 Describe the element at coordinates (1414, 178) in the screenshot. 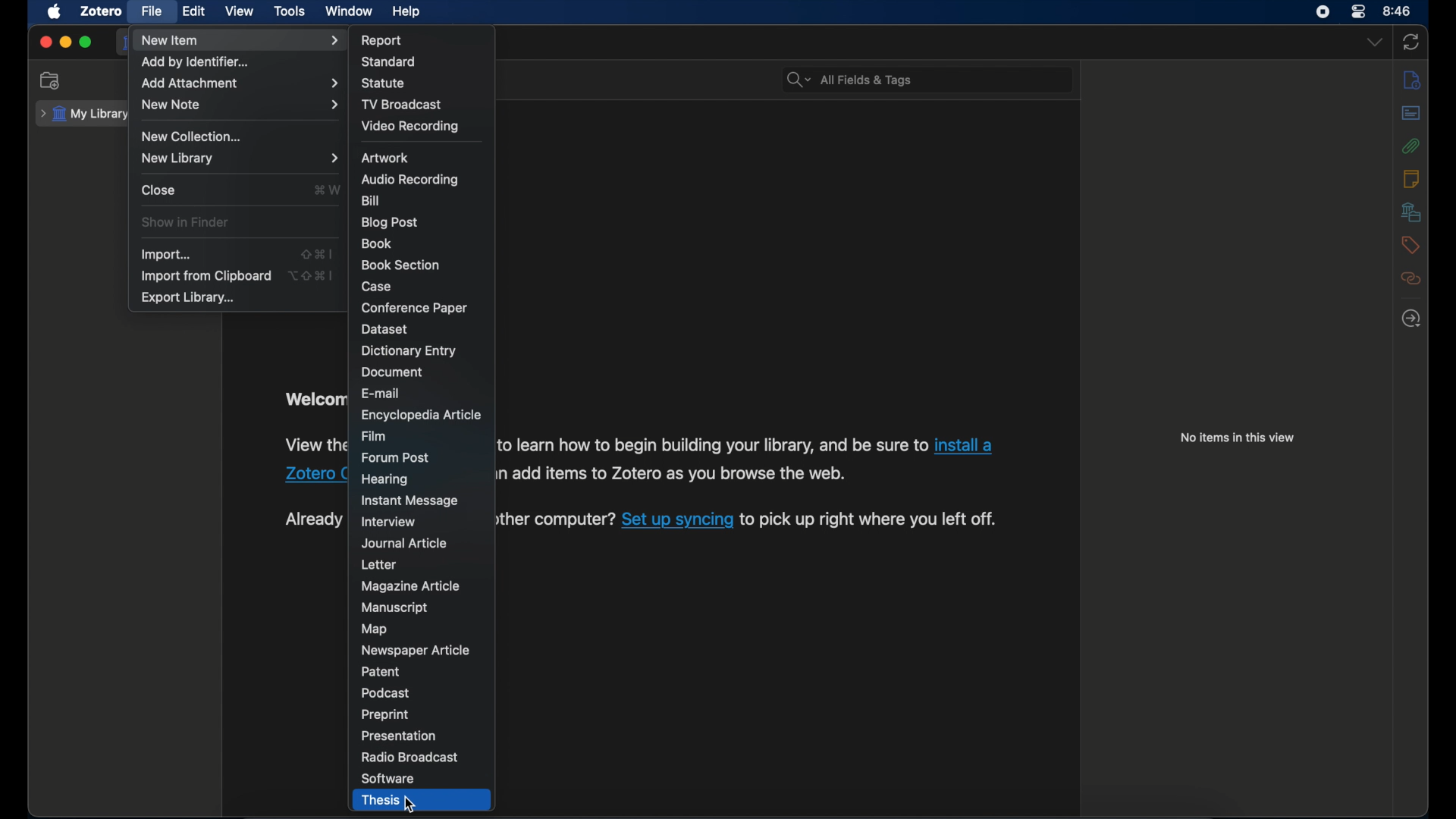

I see `notes` at that location.